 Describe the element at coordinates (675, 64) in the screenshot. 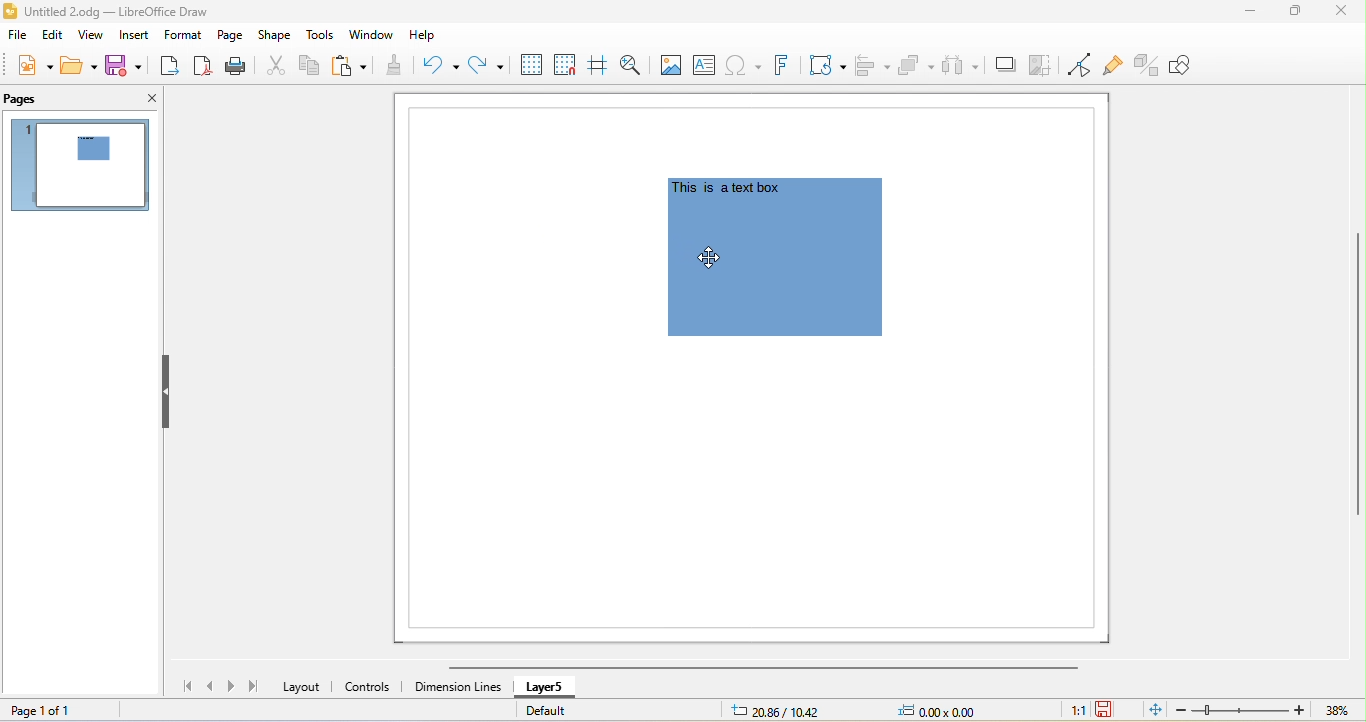

I see `image` at that location.